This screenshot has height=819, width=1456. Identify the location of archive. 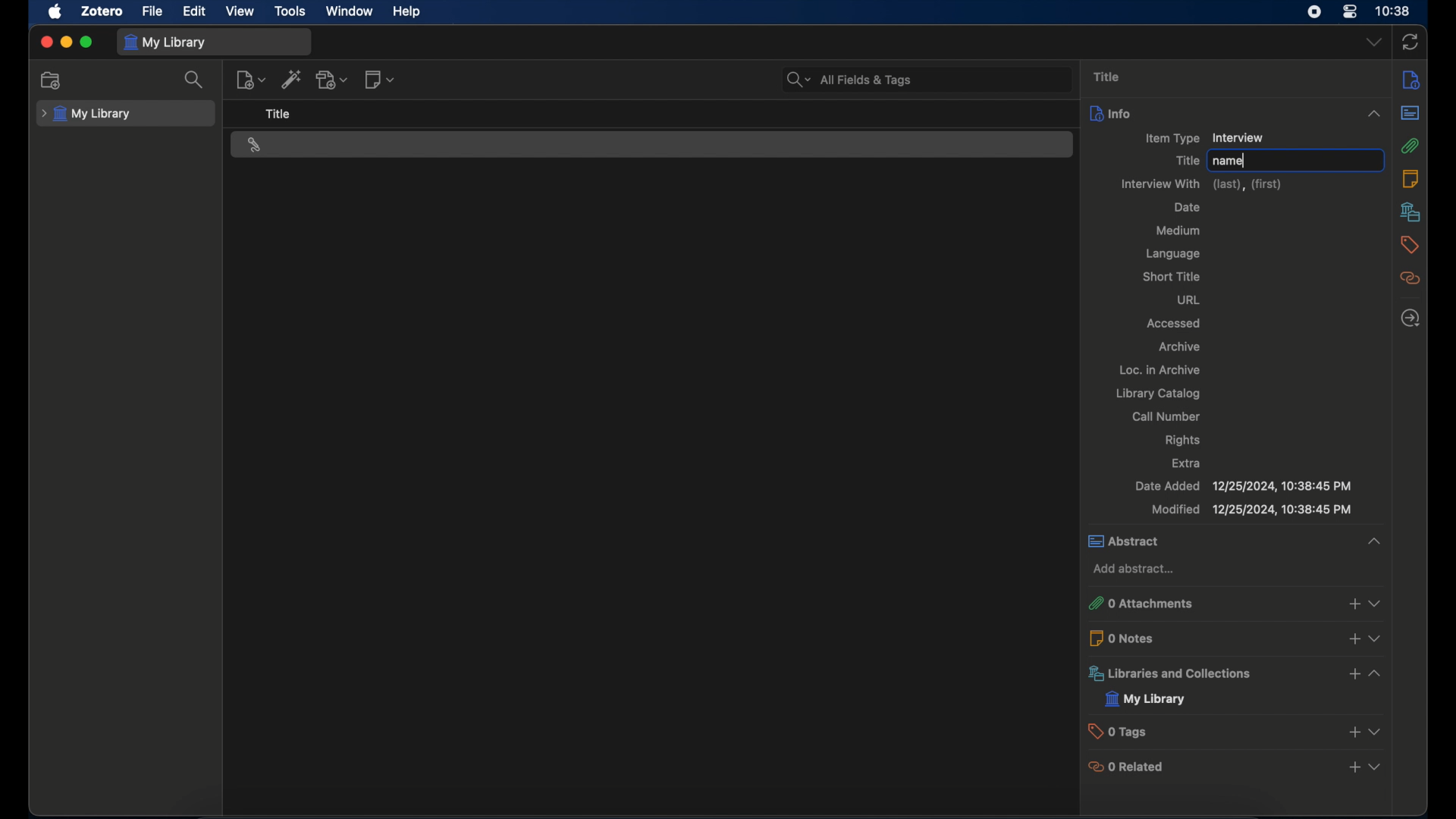
(1178, 347).